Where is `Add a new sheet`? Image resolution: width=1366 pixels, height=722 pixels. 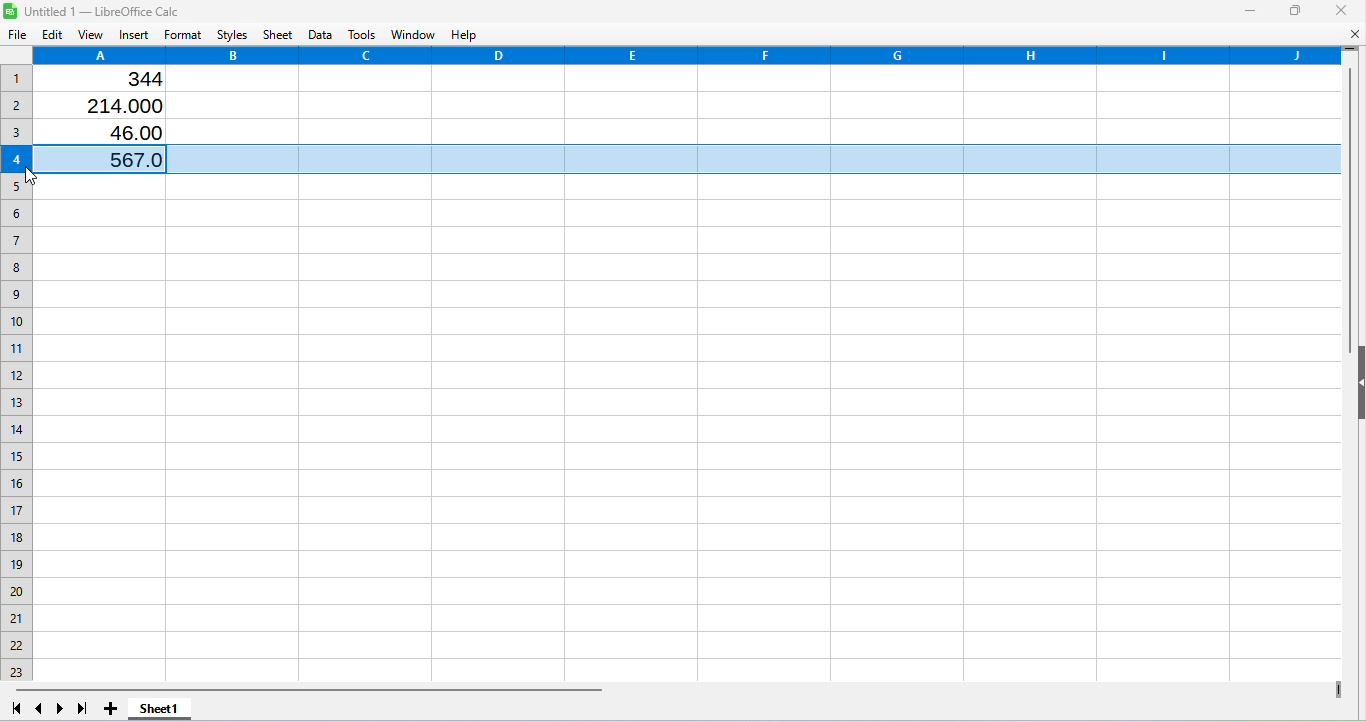
Add a new sheet is located at coordinates (110, 708).